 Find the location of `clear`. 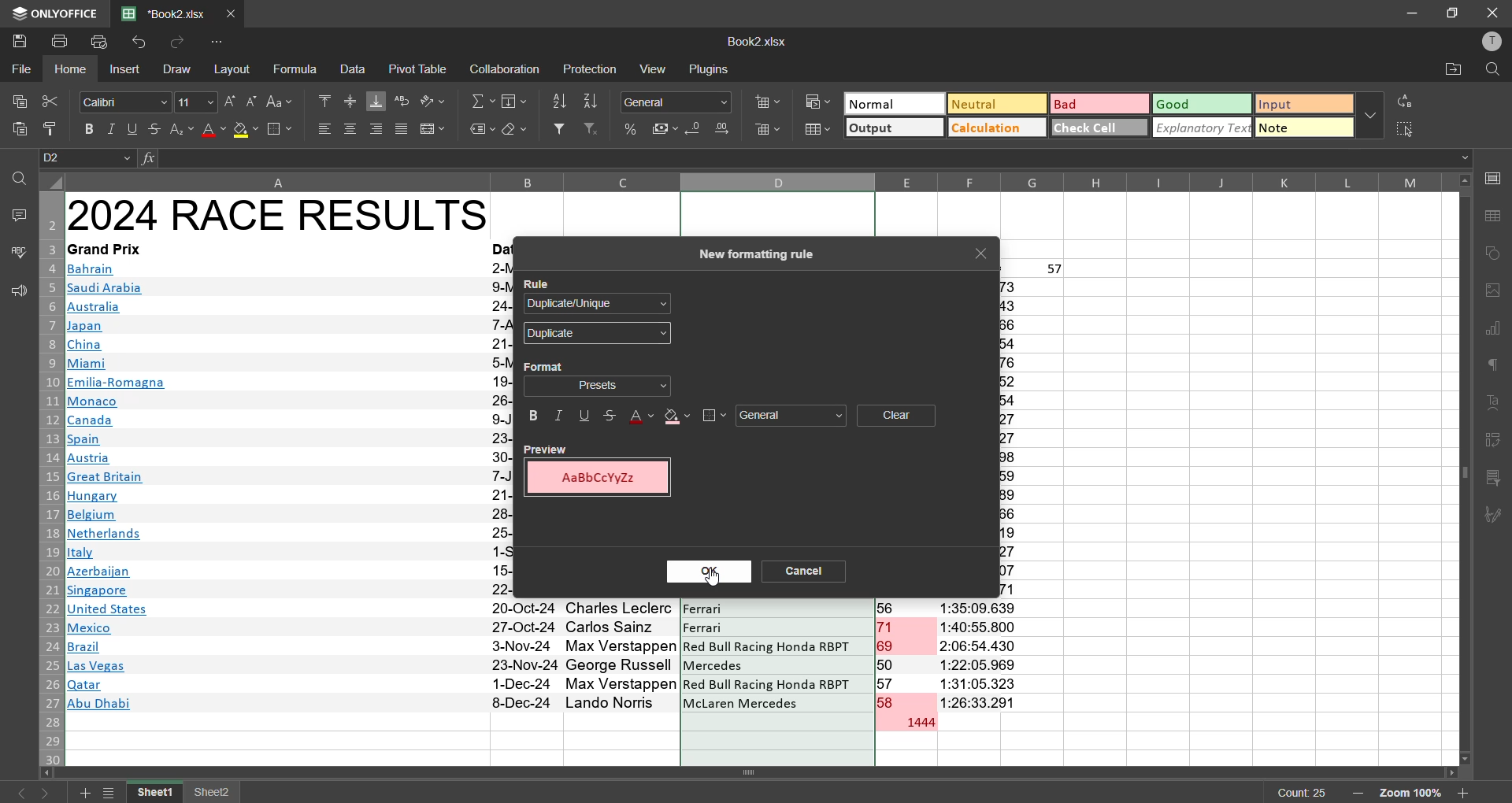

clear is located at coordinates (897, 415).